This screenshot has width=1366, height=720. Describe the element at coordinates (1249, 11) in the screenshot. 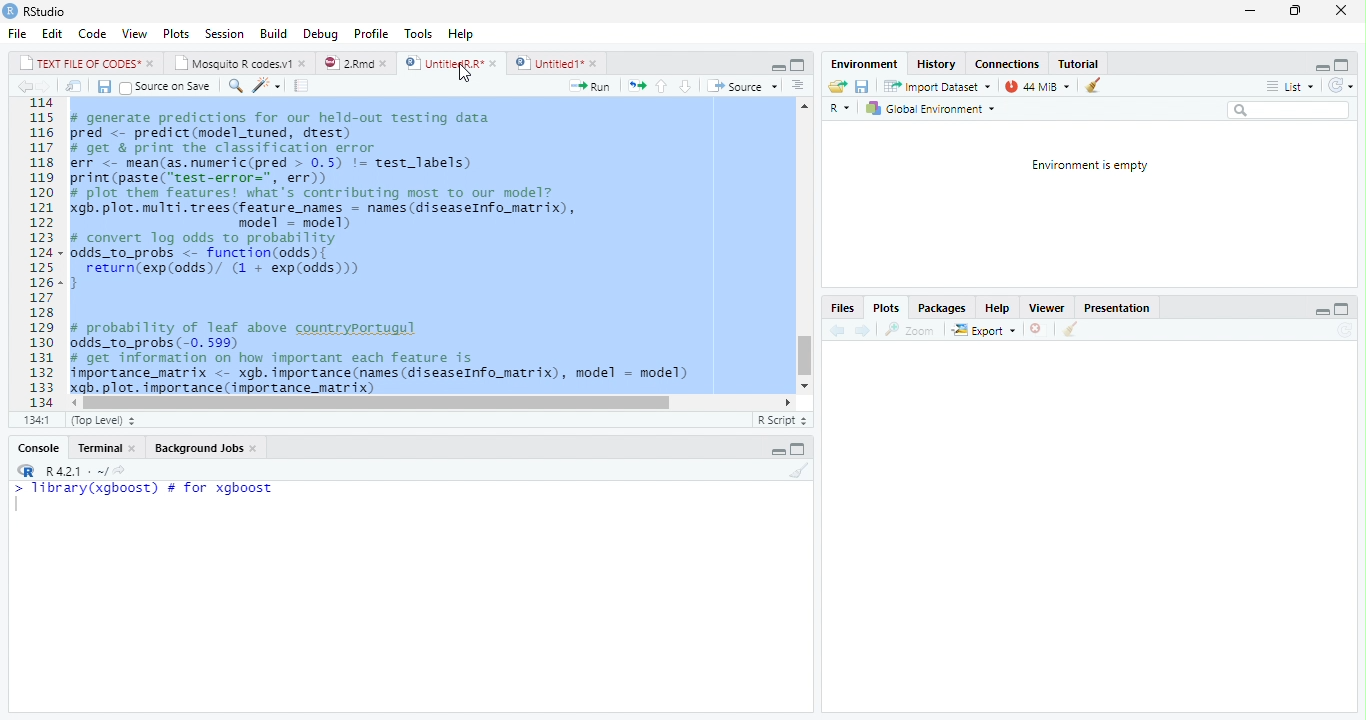

I see `Minimize` at that location.